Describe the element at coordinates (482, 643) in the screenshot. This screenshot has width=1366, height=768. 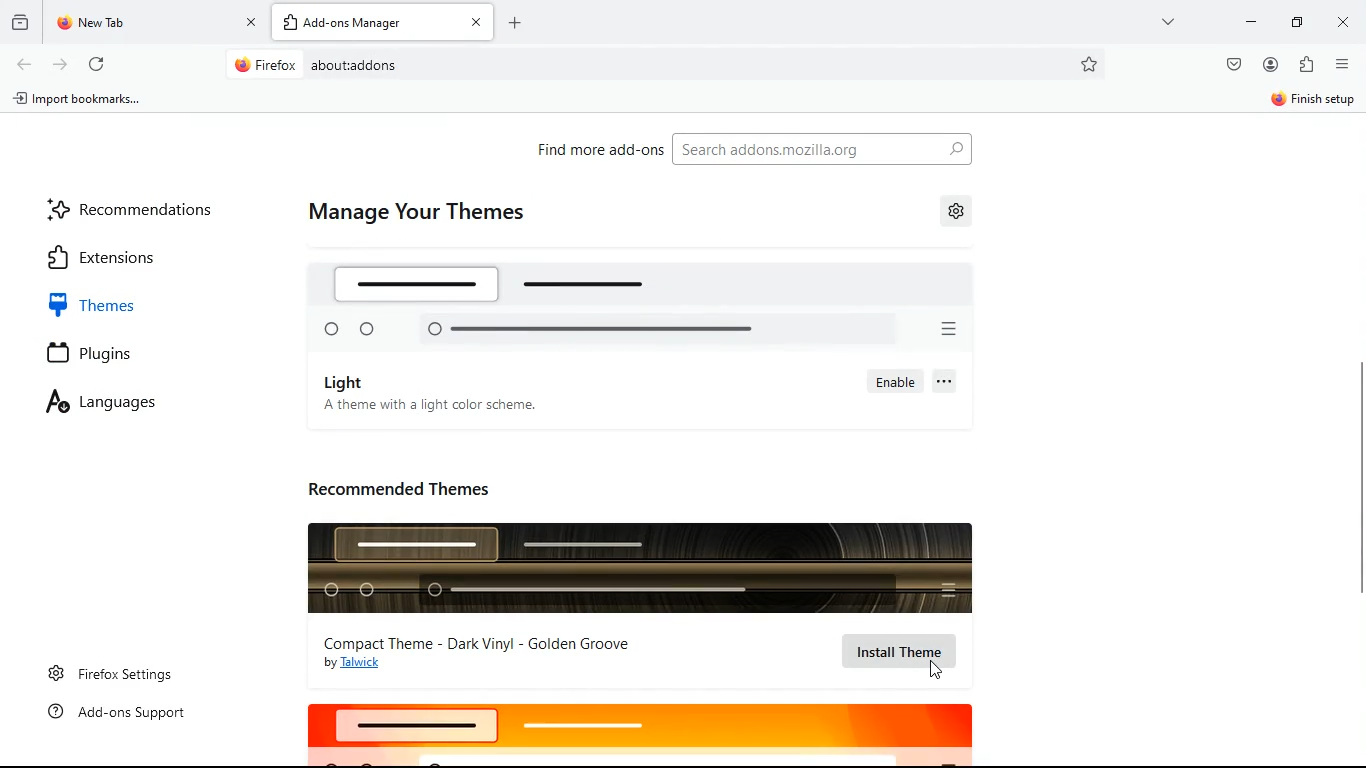
I see `compact theme - Dark Vinyl - Golden Groove` at that location.